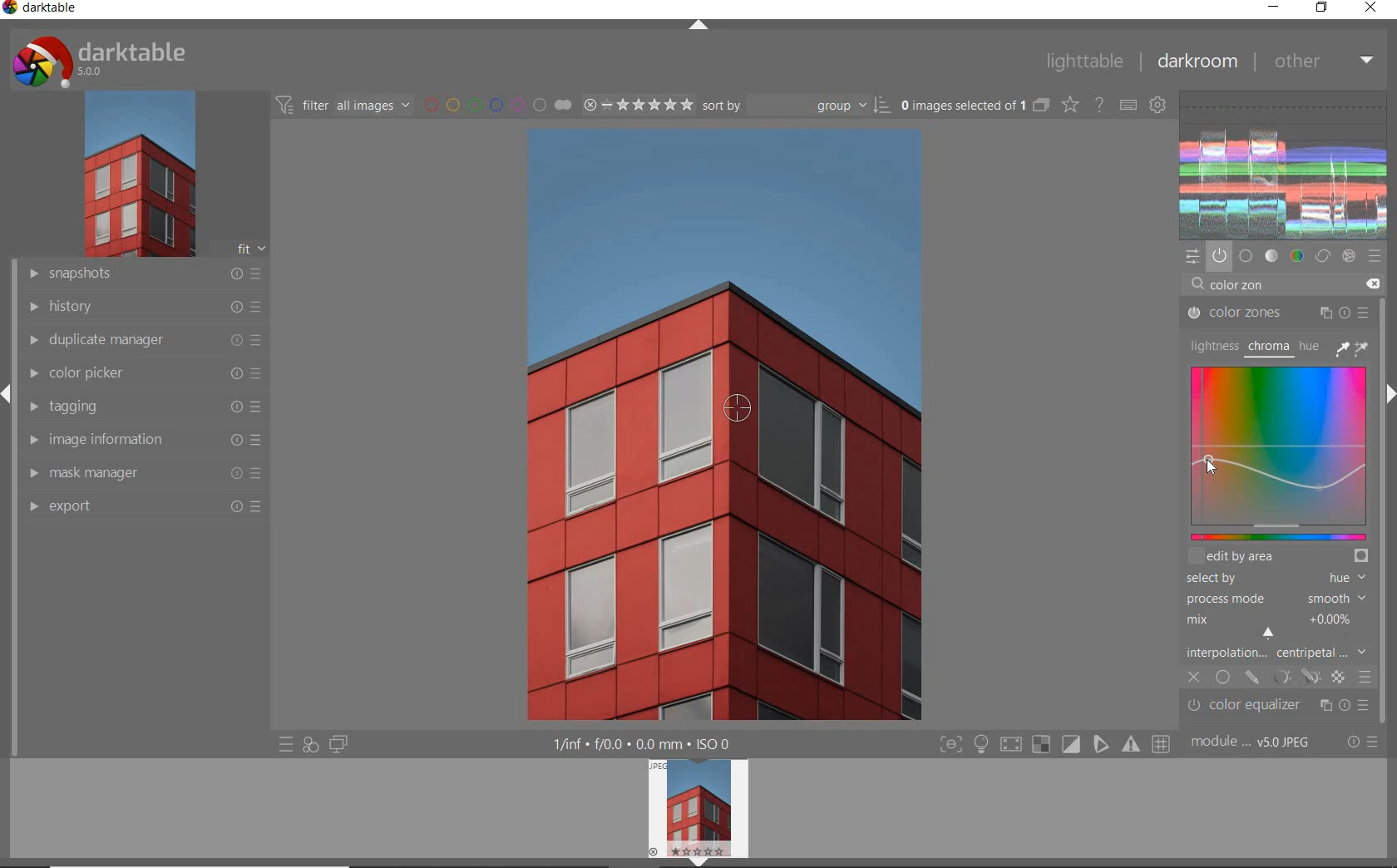 Image resolution: width=1397 pixels, height=868 pixels. Describe the element at coordinates (142, 376) in the screenshot. I see `color picker` at that location.